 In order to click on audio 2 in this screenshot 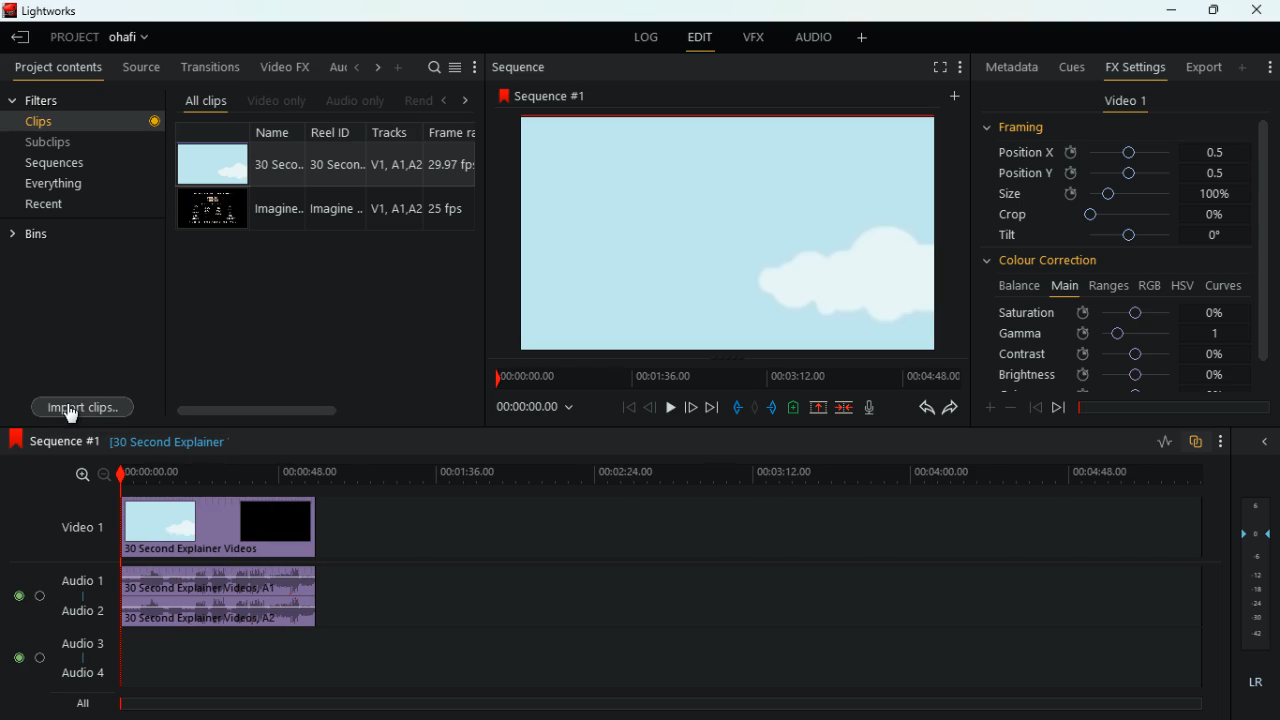, I will do `click(81, 610)`.